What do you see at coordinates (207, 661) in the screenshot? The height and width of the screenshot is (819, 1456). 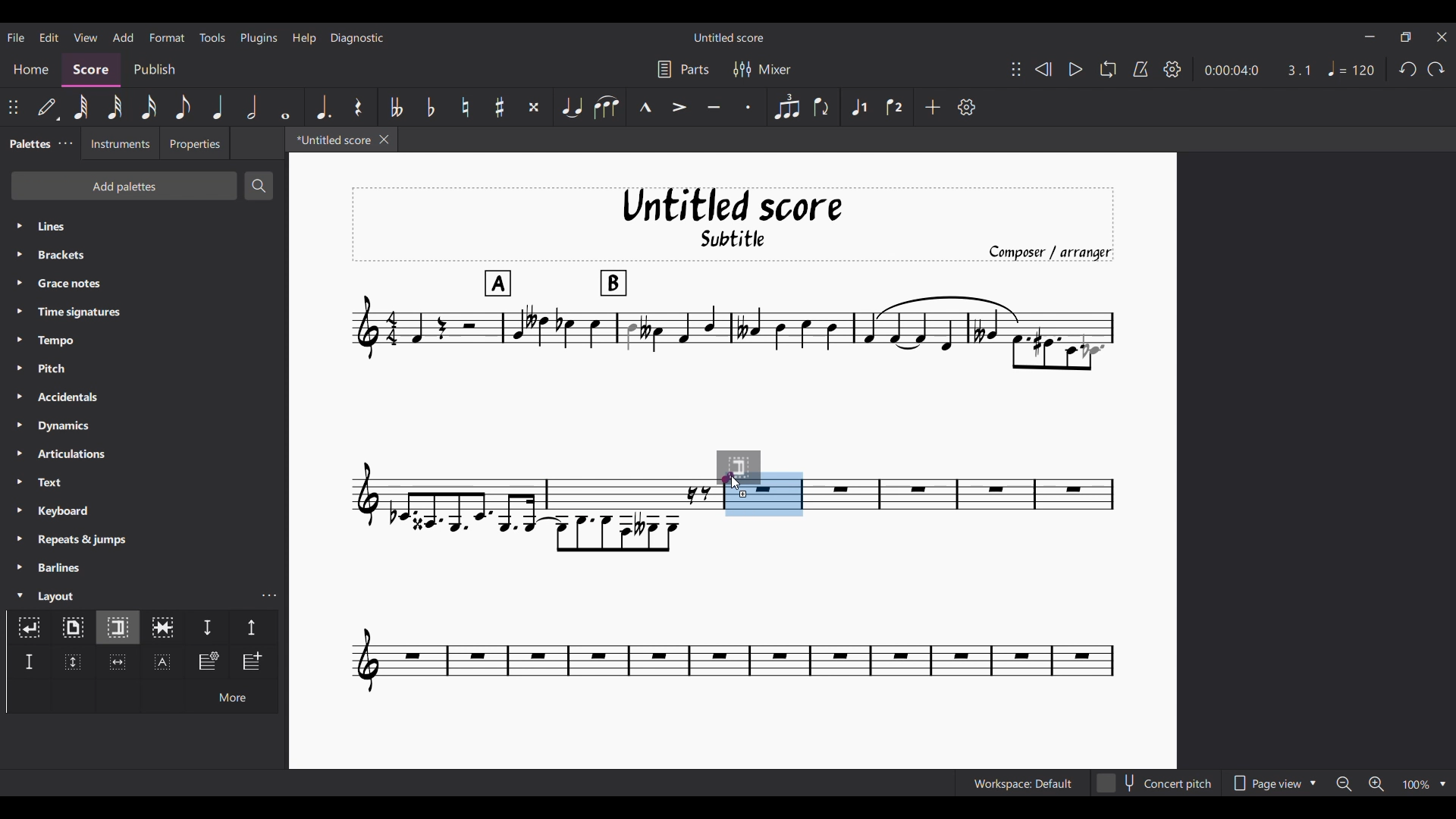 I see `Insert staff type change` at bounding box center [207, 661].